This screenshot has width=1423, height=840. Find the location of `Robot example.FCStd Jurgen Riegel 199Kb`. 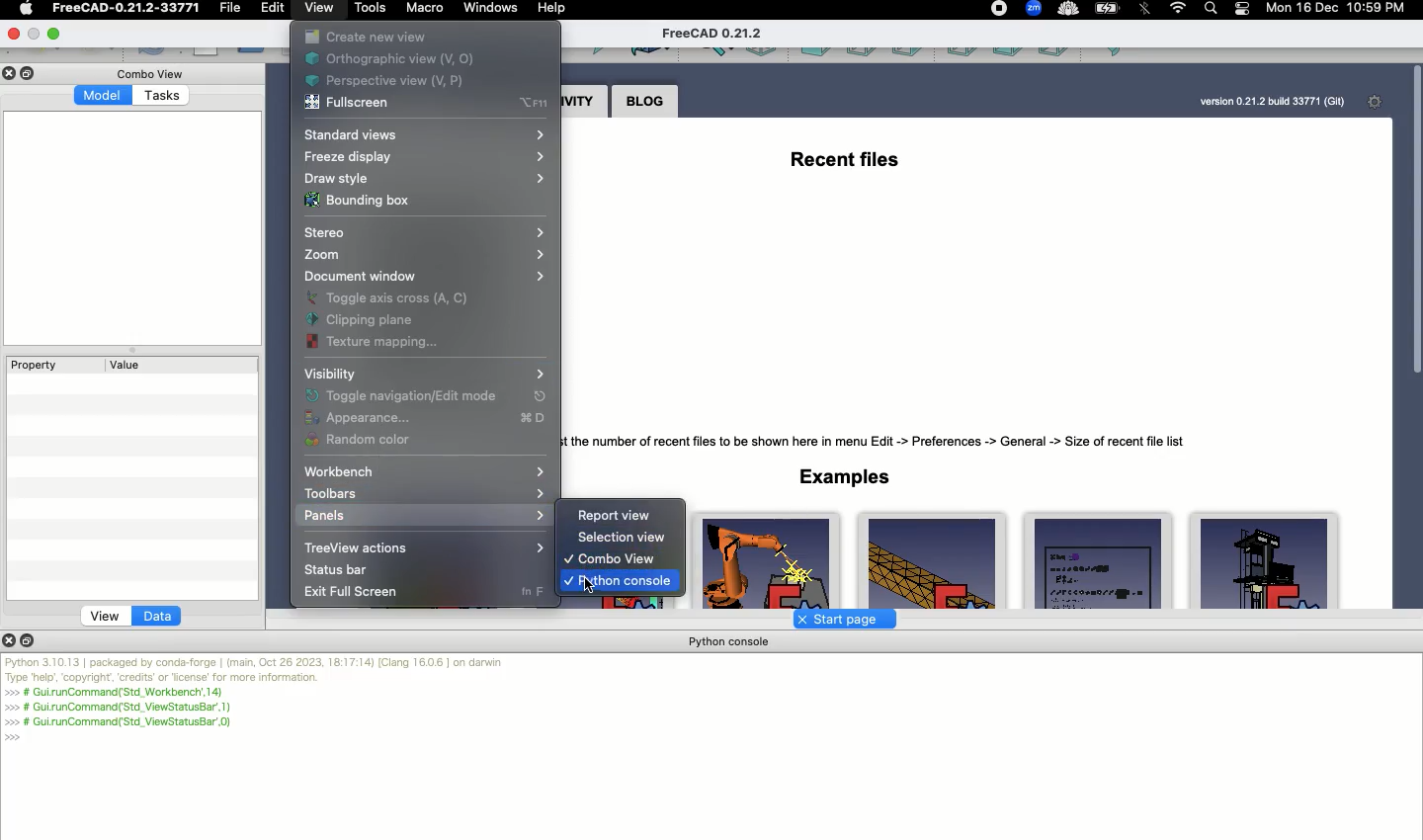

Robot example.FCStd Jurgen Riegel 199Kb is located at coordinates (769, 560).